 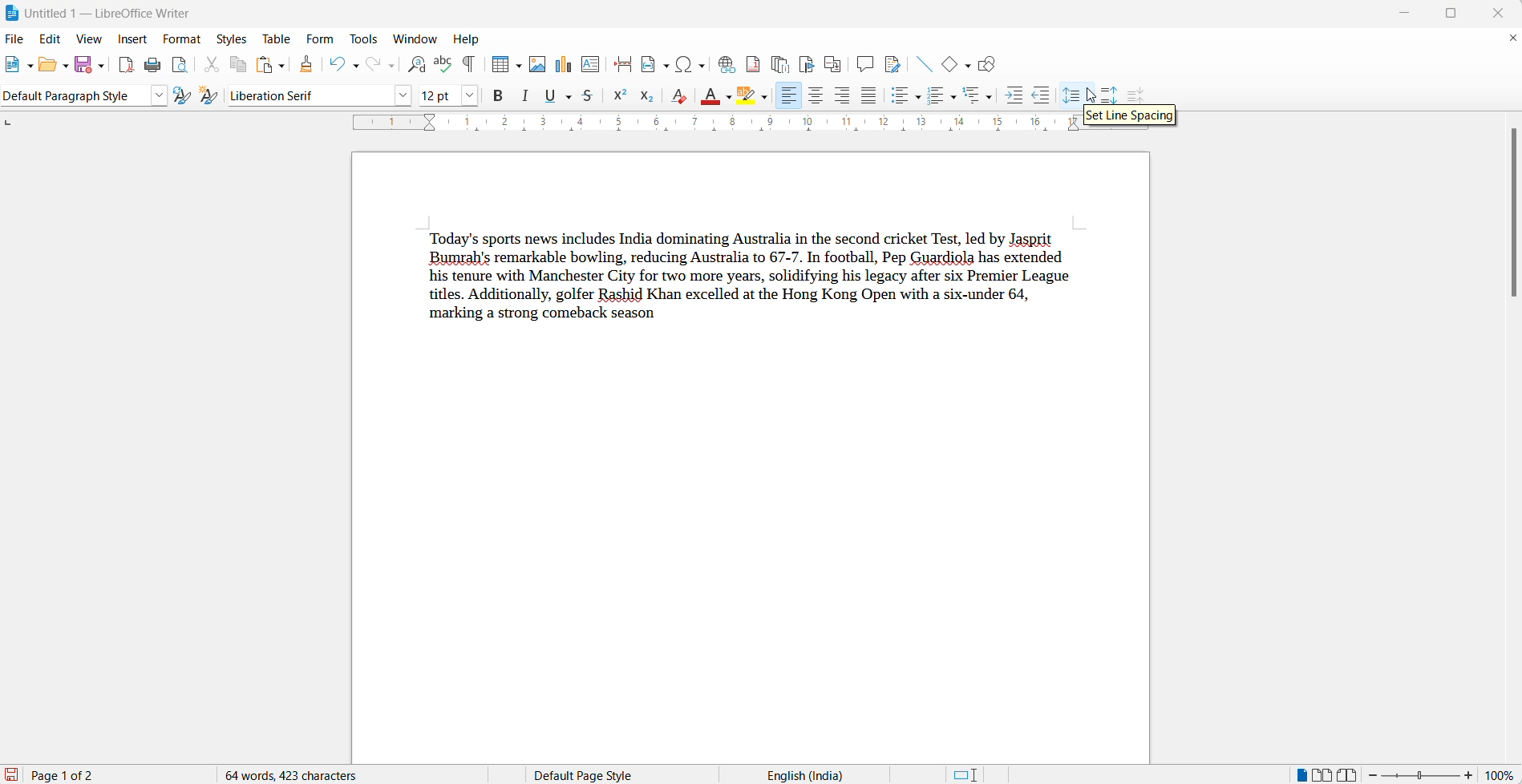 I want to click on new file, so click(x=14, y=69).